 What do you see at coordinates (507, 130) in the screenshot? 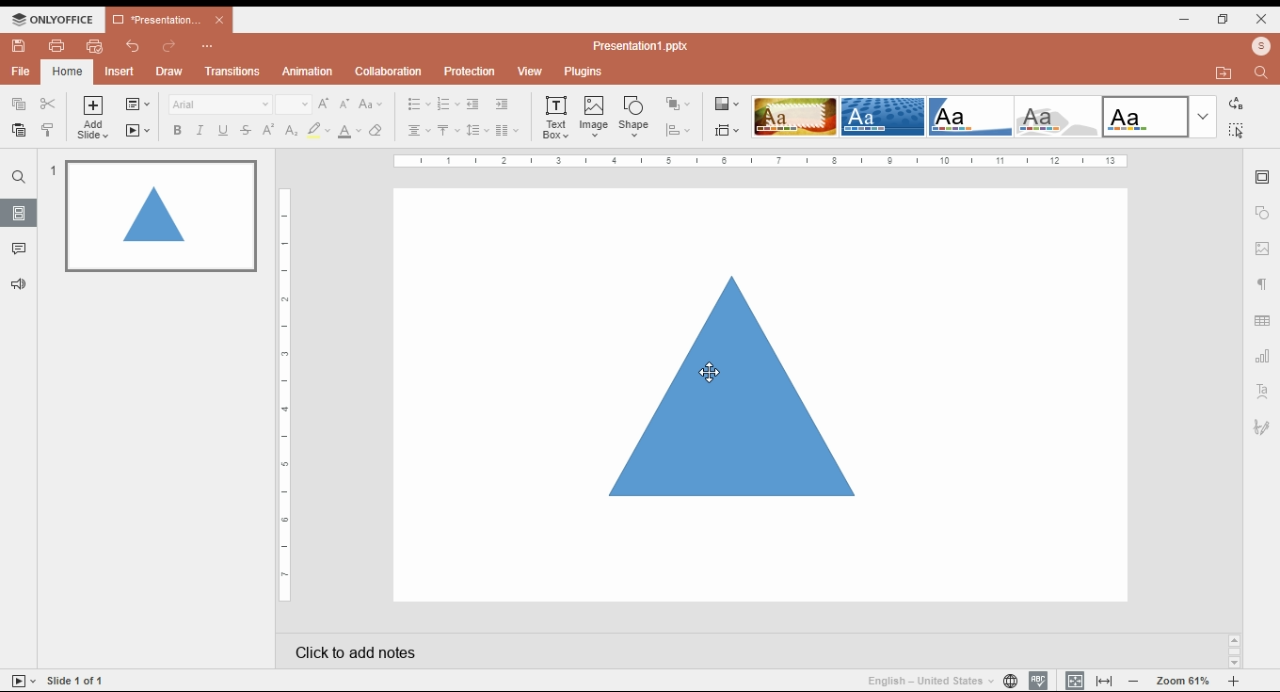
I see `insert columns` at bounding box center [507, 130].